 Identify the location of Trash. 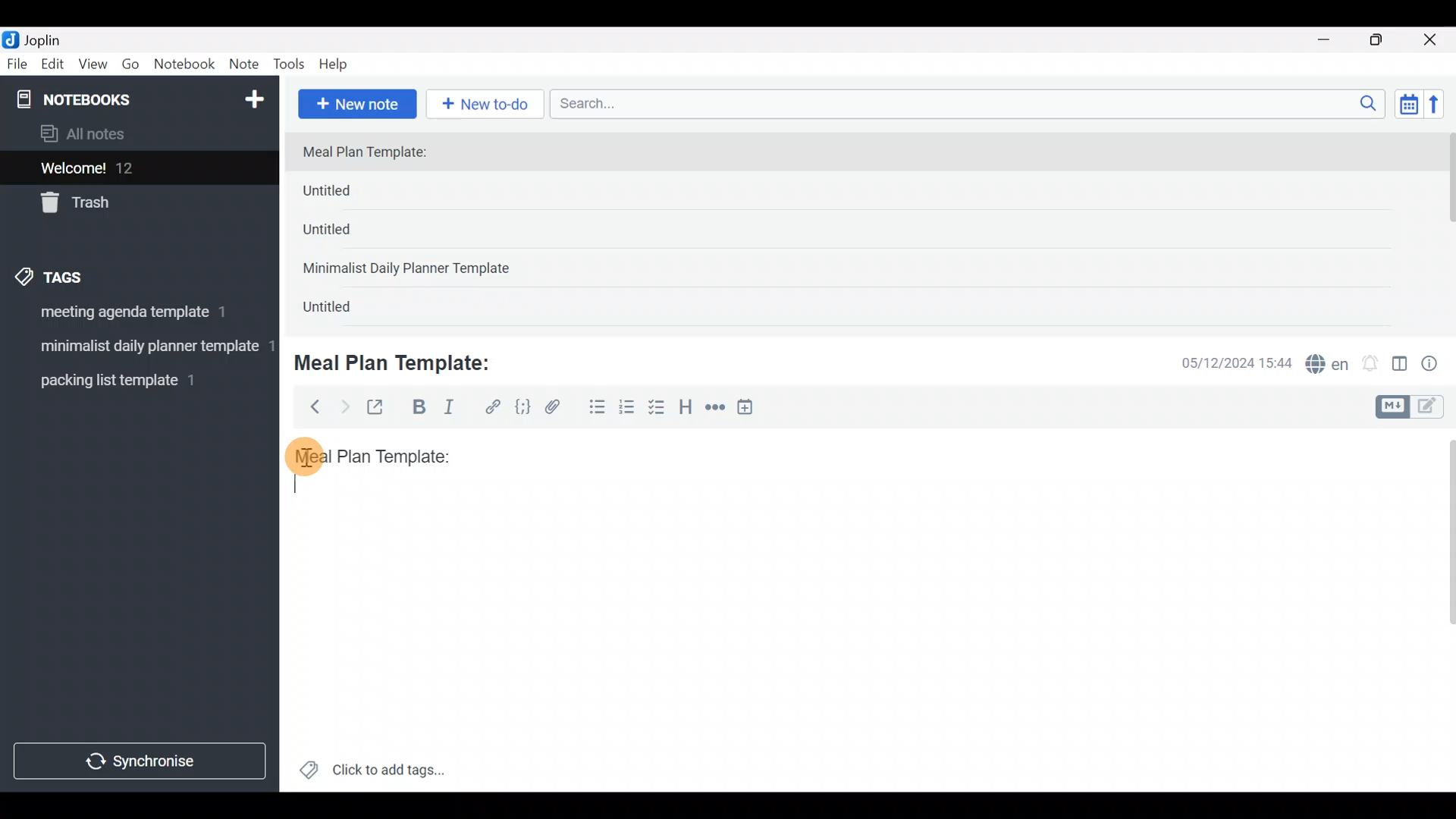
(130, 204).